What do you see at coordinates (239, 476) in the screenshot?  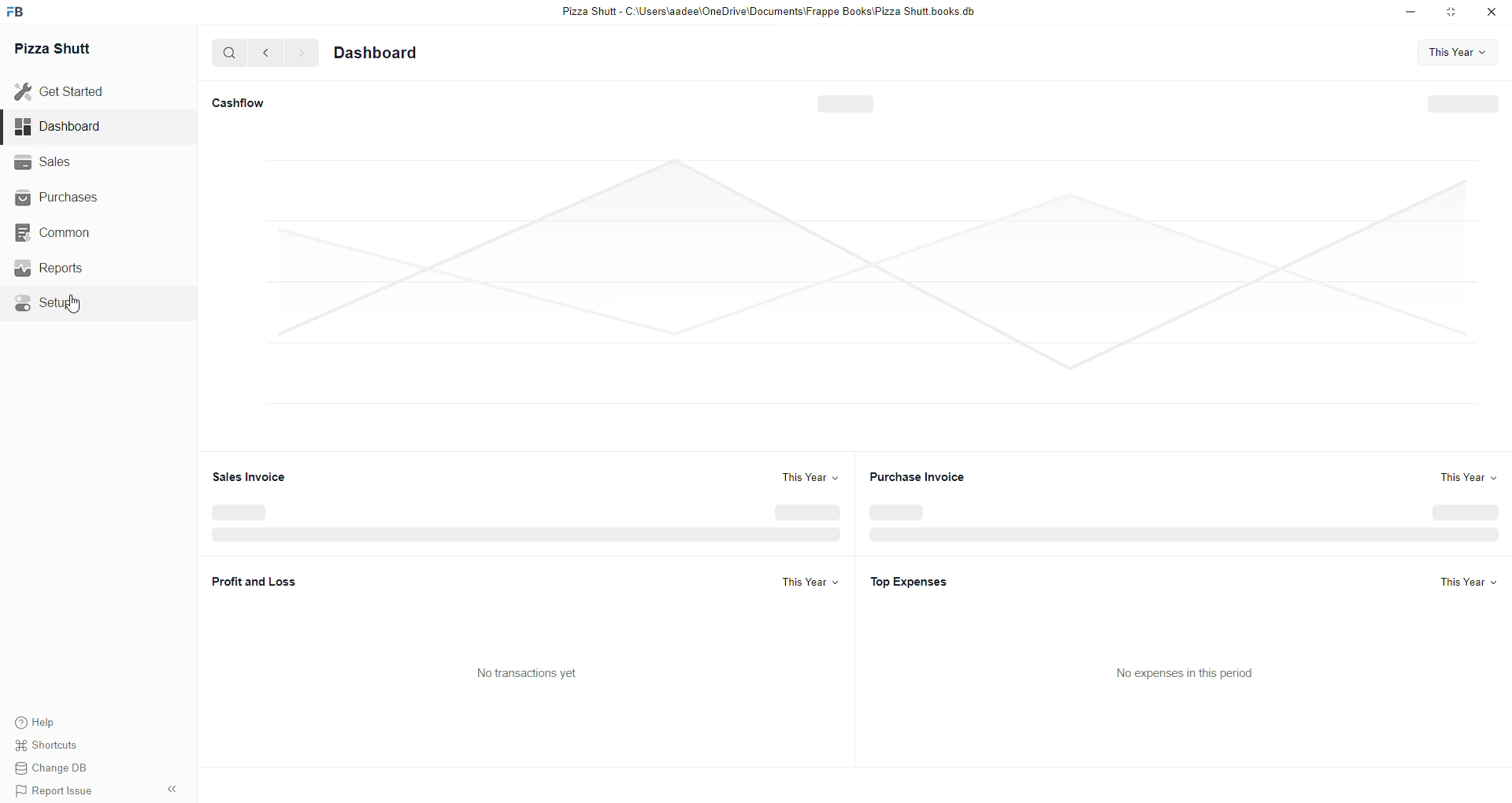 I see `Sales invoice ` at bounding box center [239, 476].